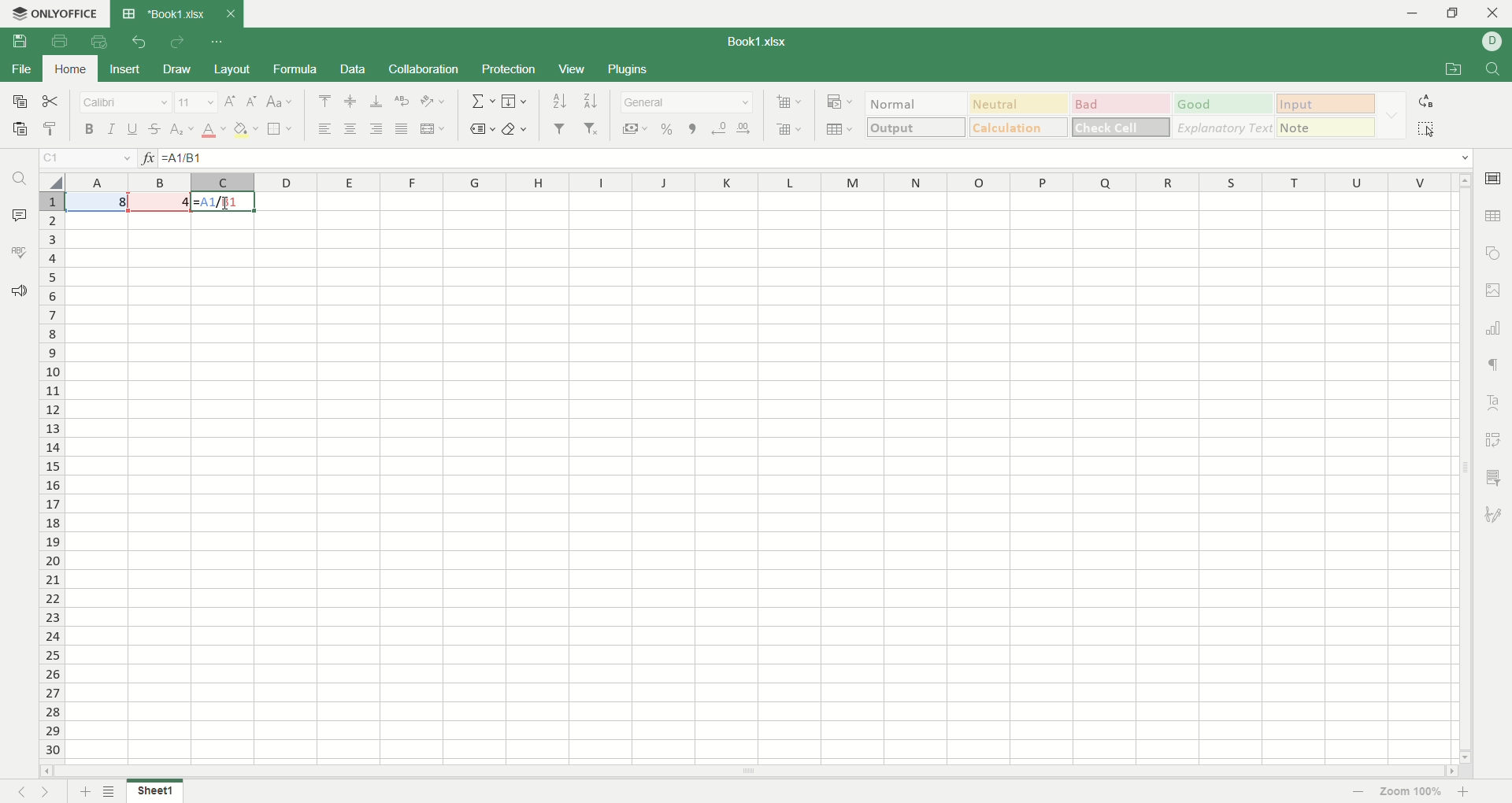 This screenshot has height=803, width=1512. Describe the element at coordinates (1224, 104) in the screenshot. I see `good` at that location.